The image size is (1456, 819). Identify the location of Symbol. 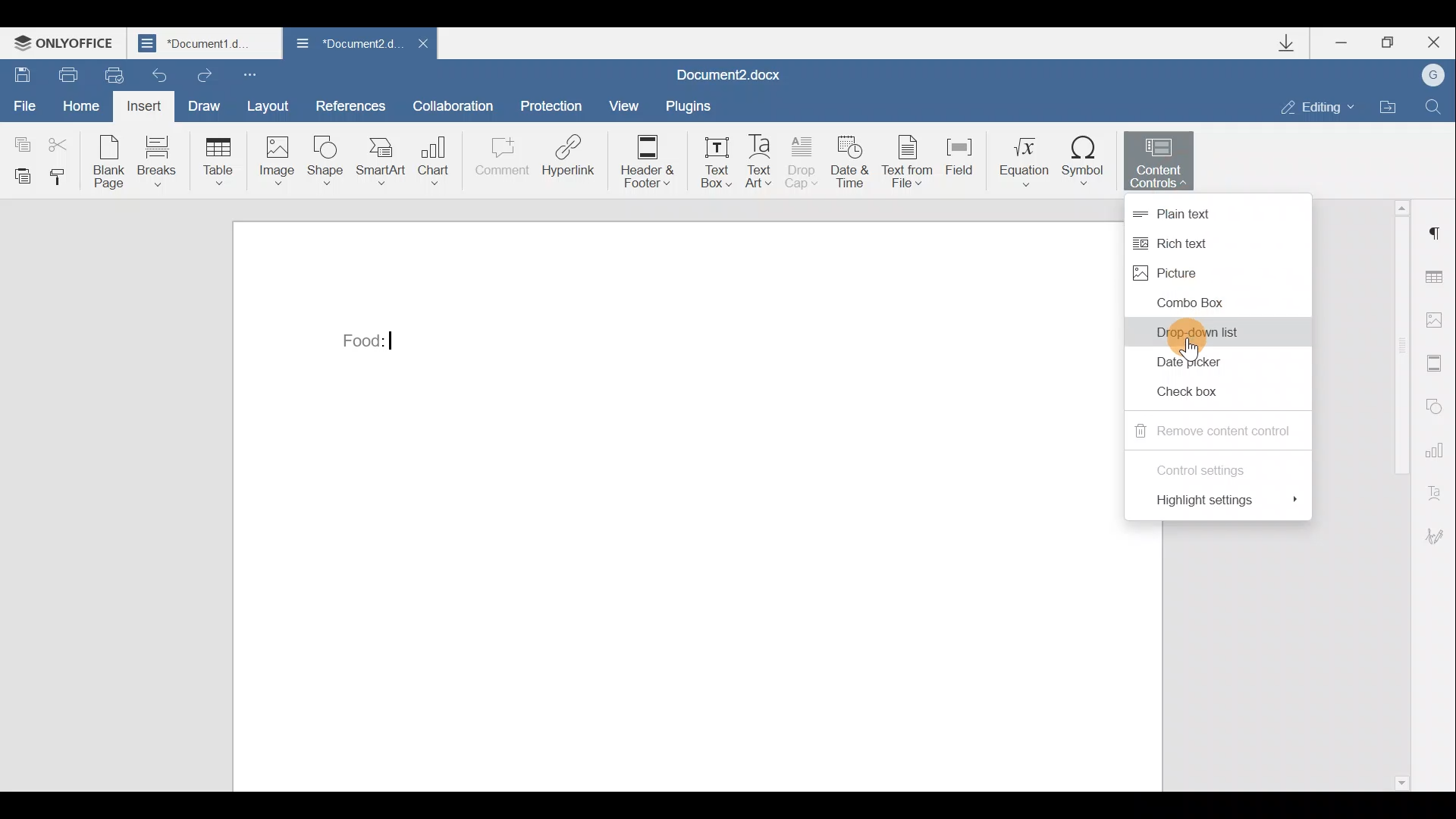
(1084, 160).